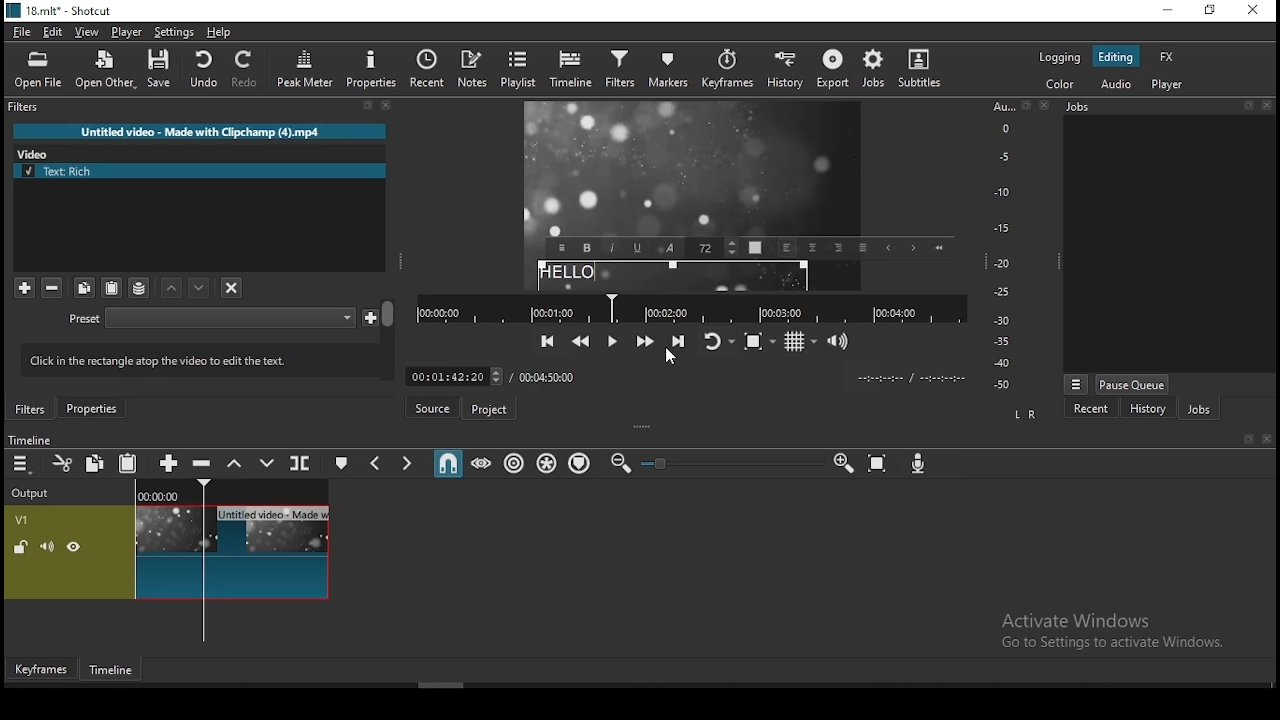 The width and height of the screenshot is (1280, 720). Describe the element at coordinates (38, 152) in the screenshot. I see `Video` at that location.